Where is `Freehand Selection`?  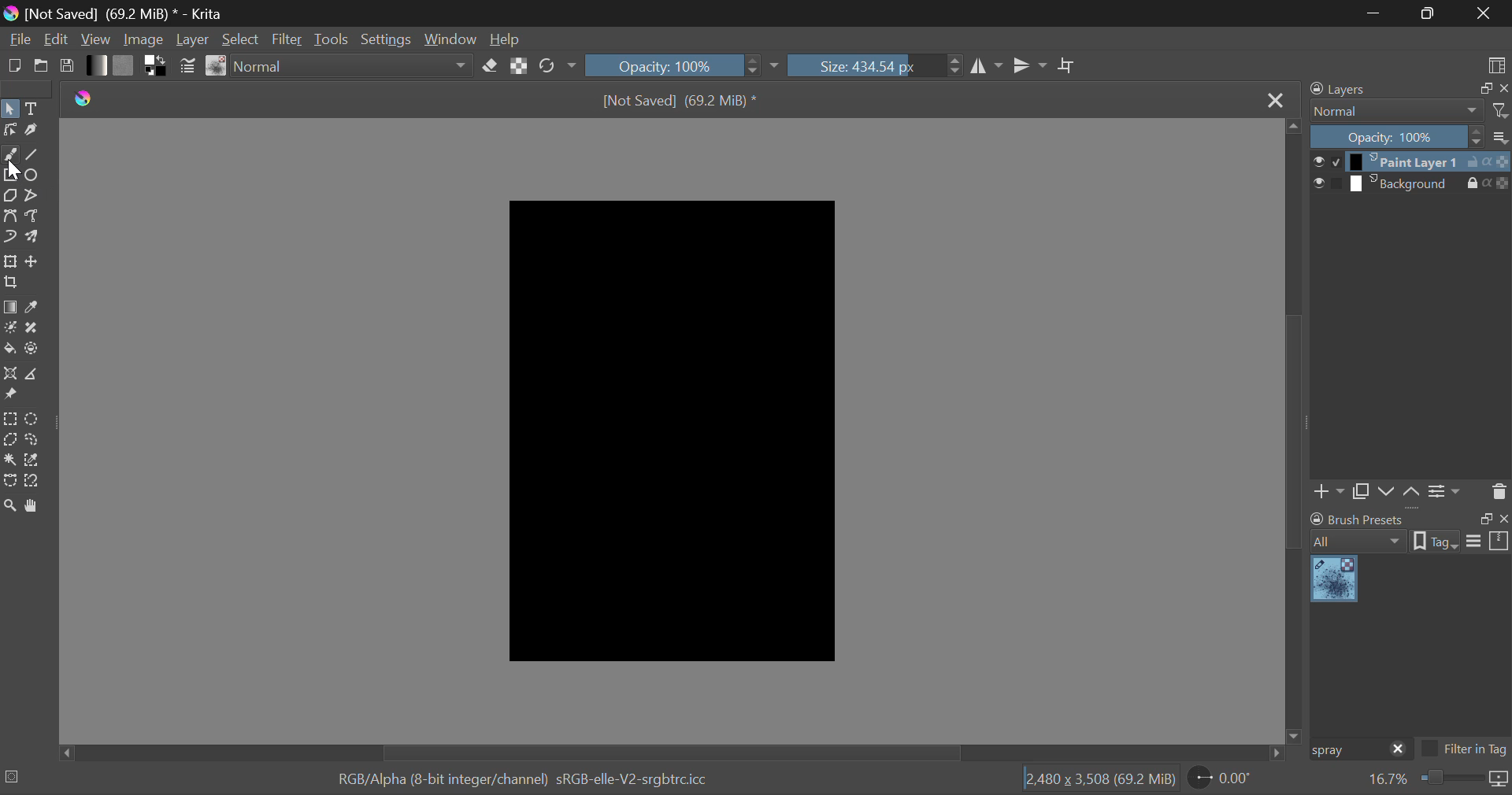
Freehand Selection is located at coordinates (33, 439).